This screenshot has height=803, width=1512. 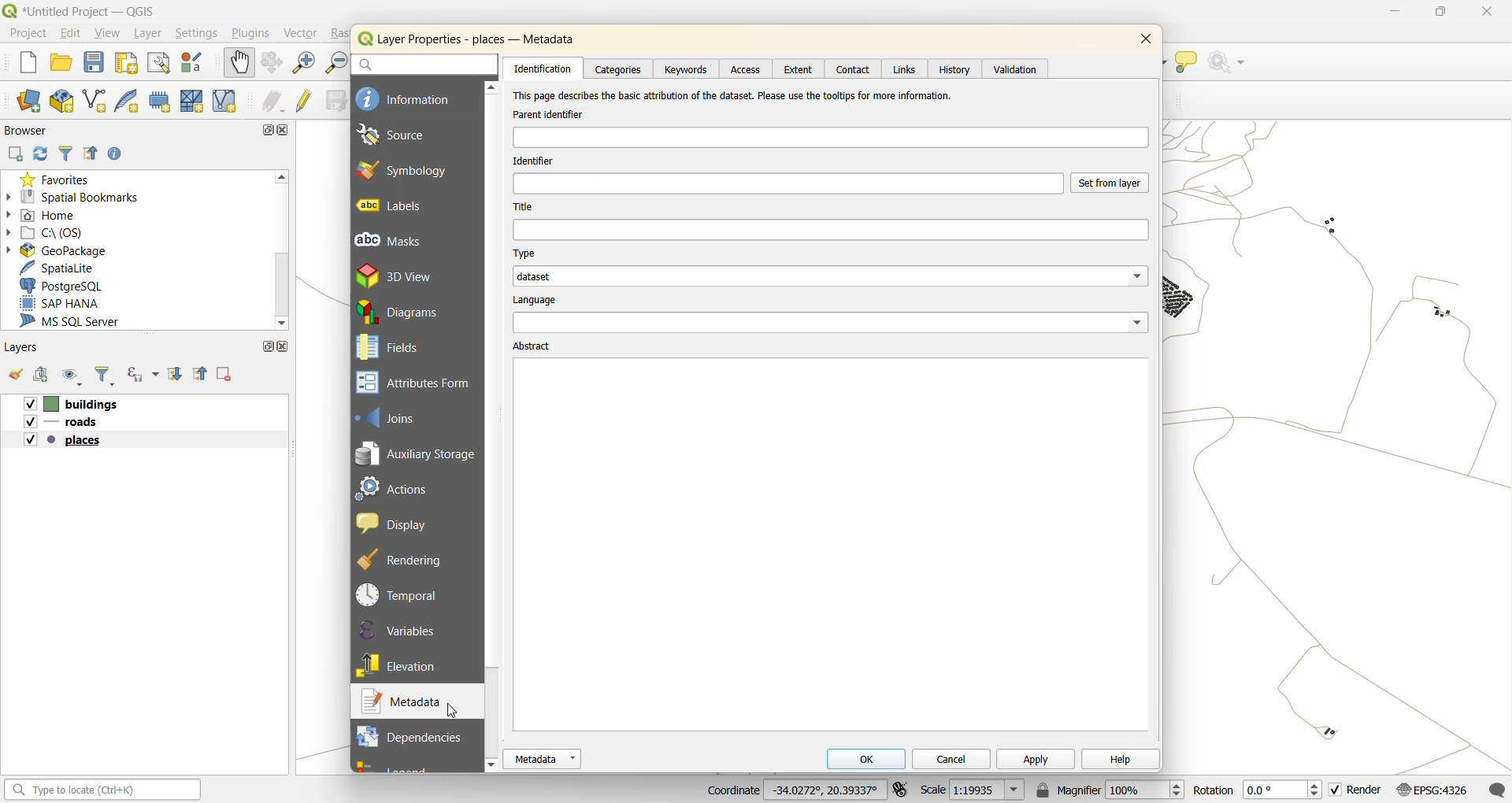 I want to click on close, so click(x=286, y=131).